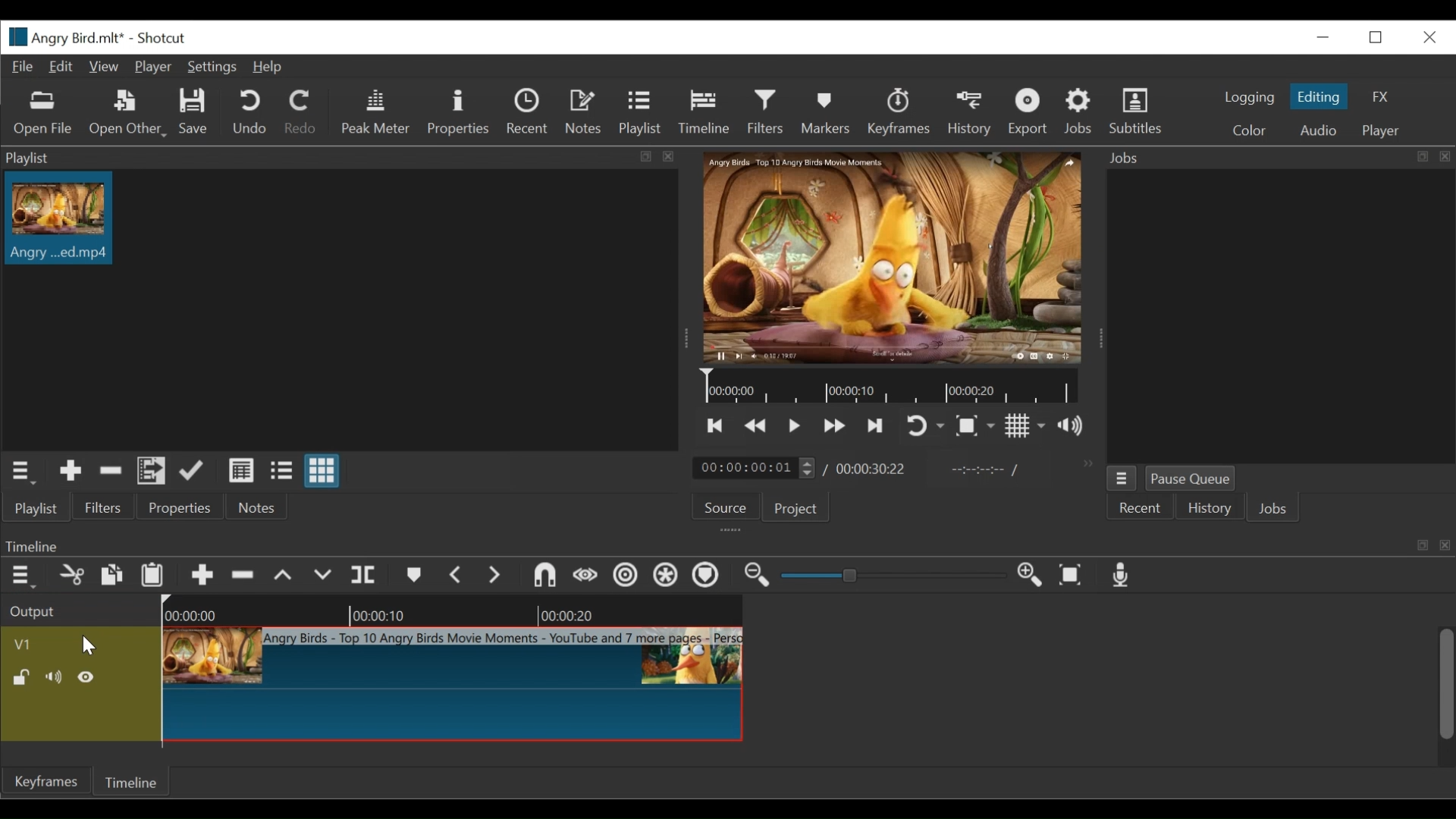 The height and width of the screenshot is (819, 1456). What do you see at coordinates (1325, 37) in the screenshot?
I see `Close` at bounding box center [1325, 37].